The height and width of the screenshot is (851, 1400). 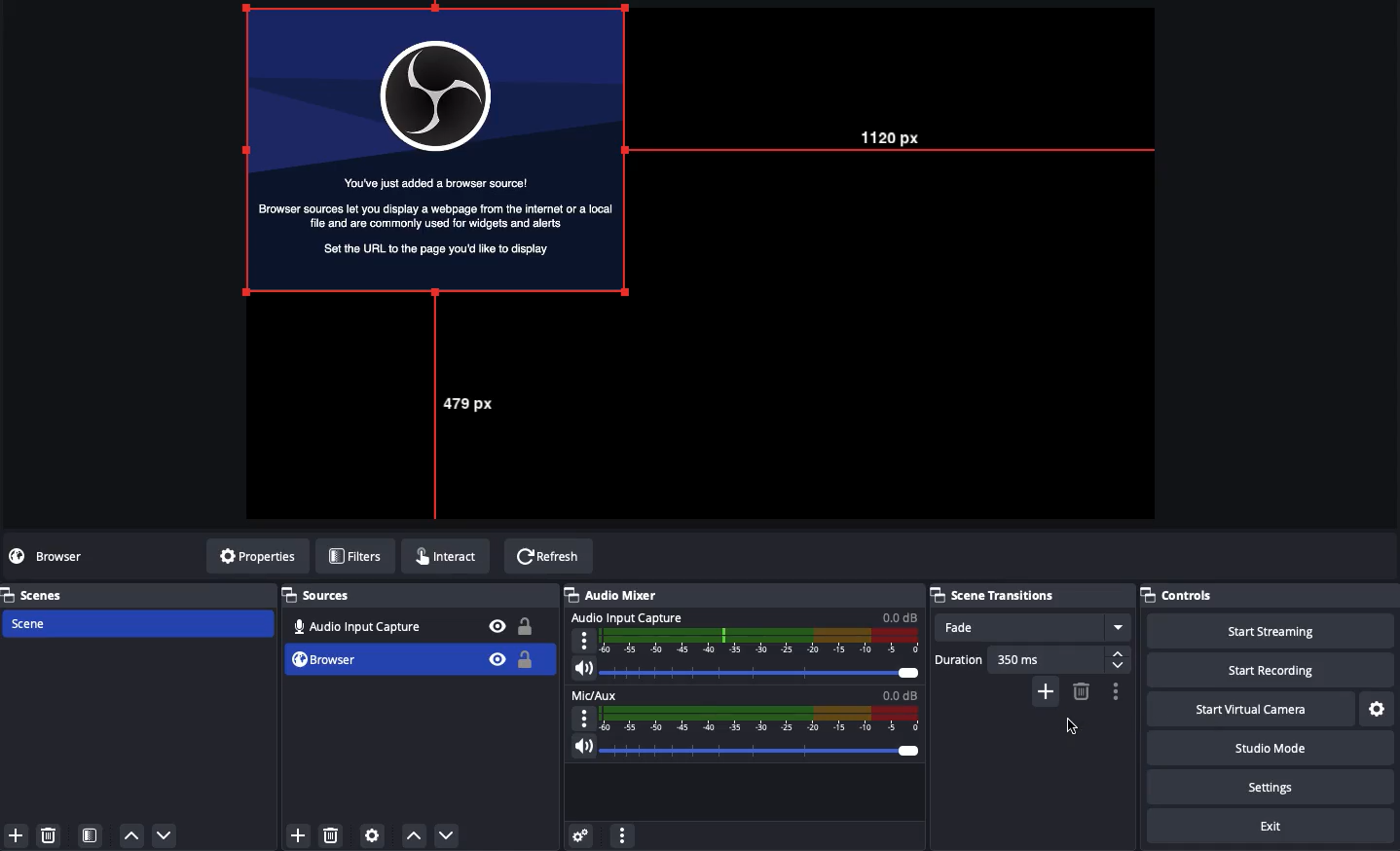 What do you see at coordinates (1032, 595) in the screenshot?
I see `Scene transitions` at bounding box center [1032, 595].